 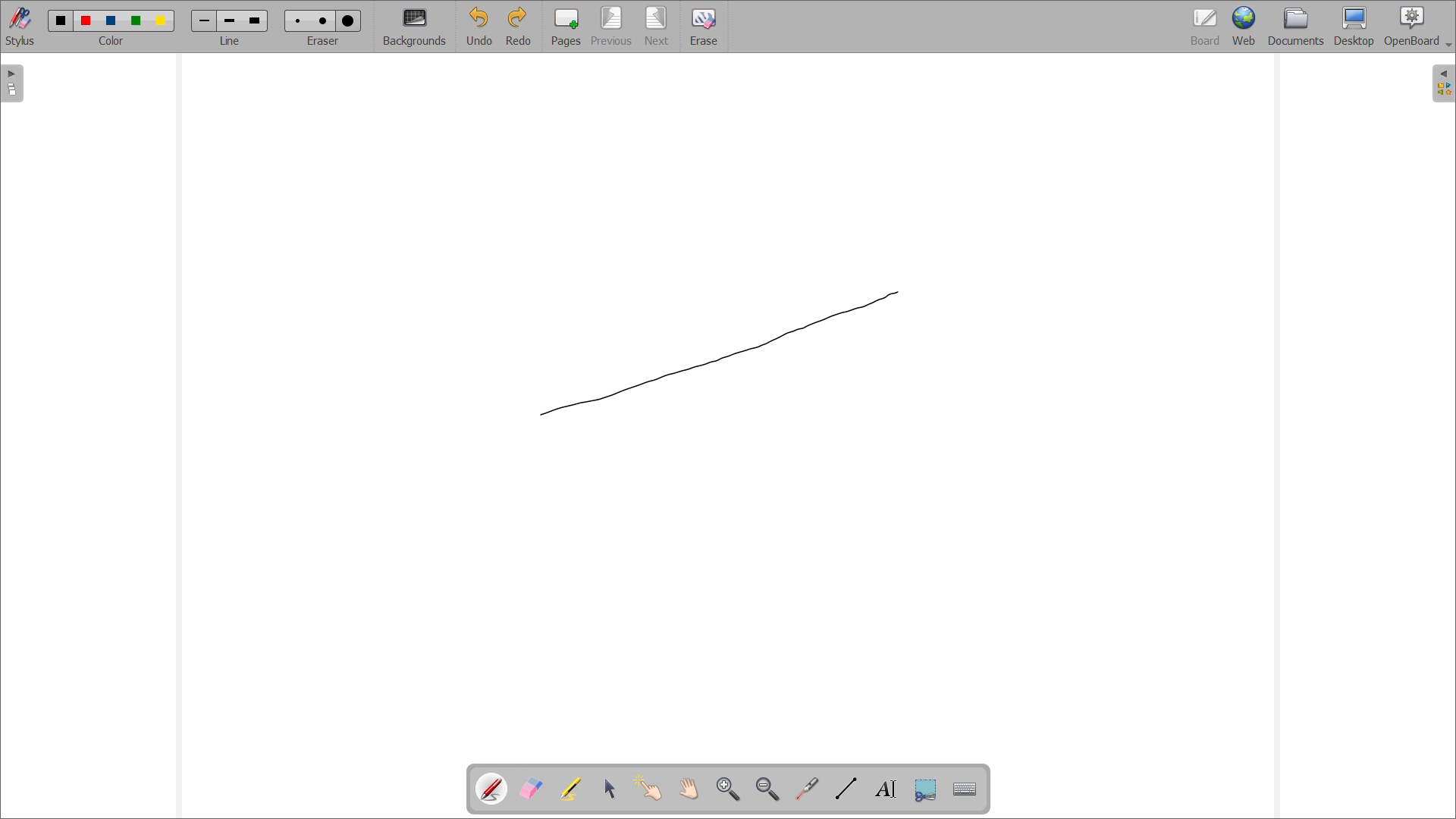 I want to click on select and modify objects, so click(x=610, y=789).